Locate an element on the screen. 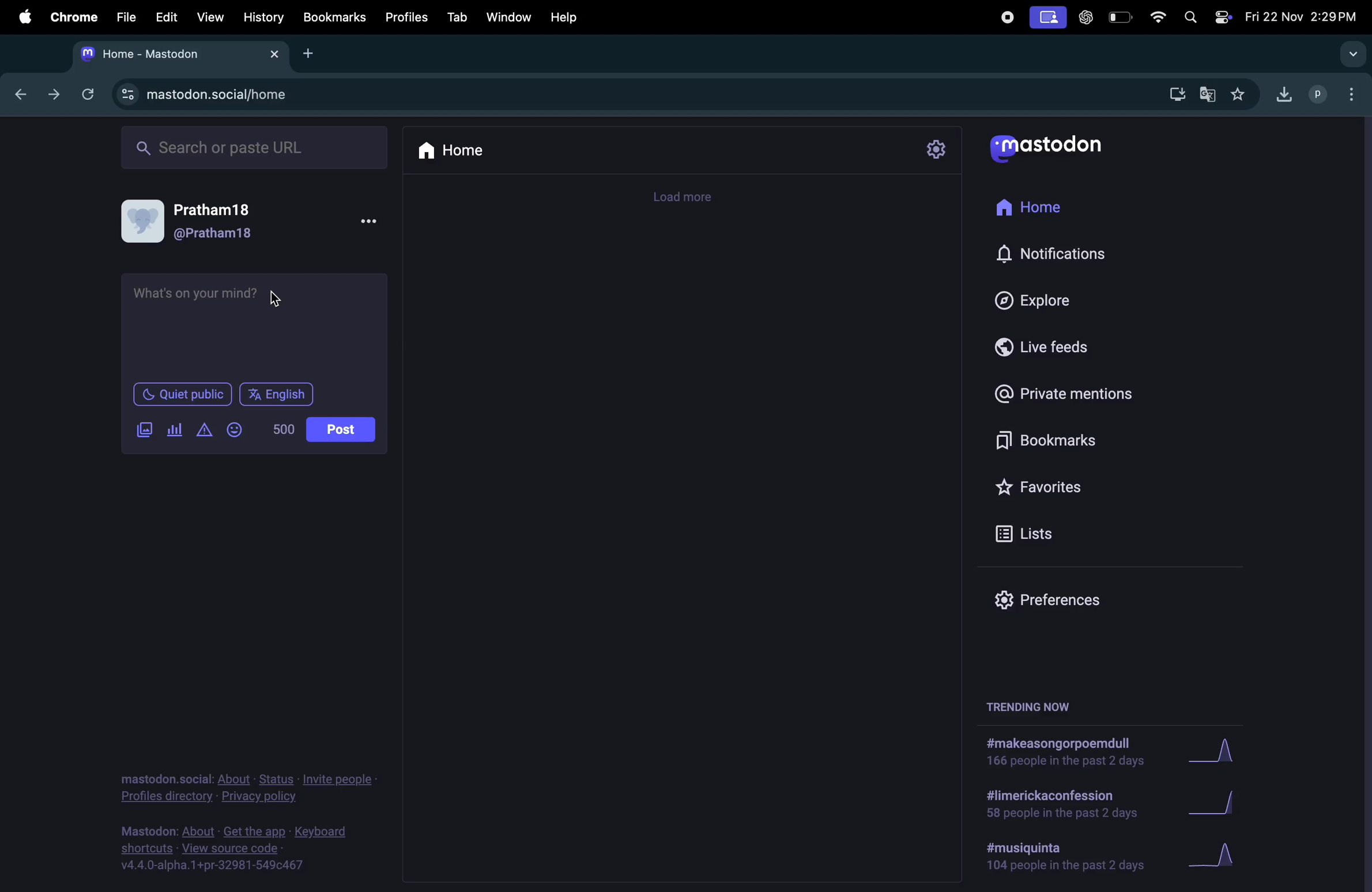  english is located at coordinates (279, 394).